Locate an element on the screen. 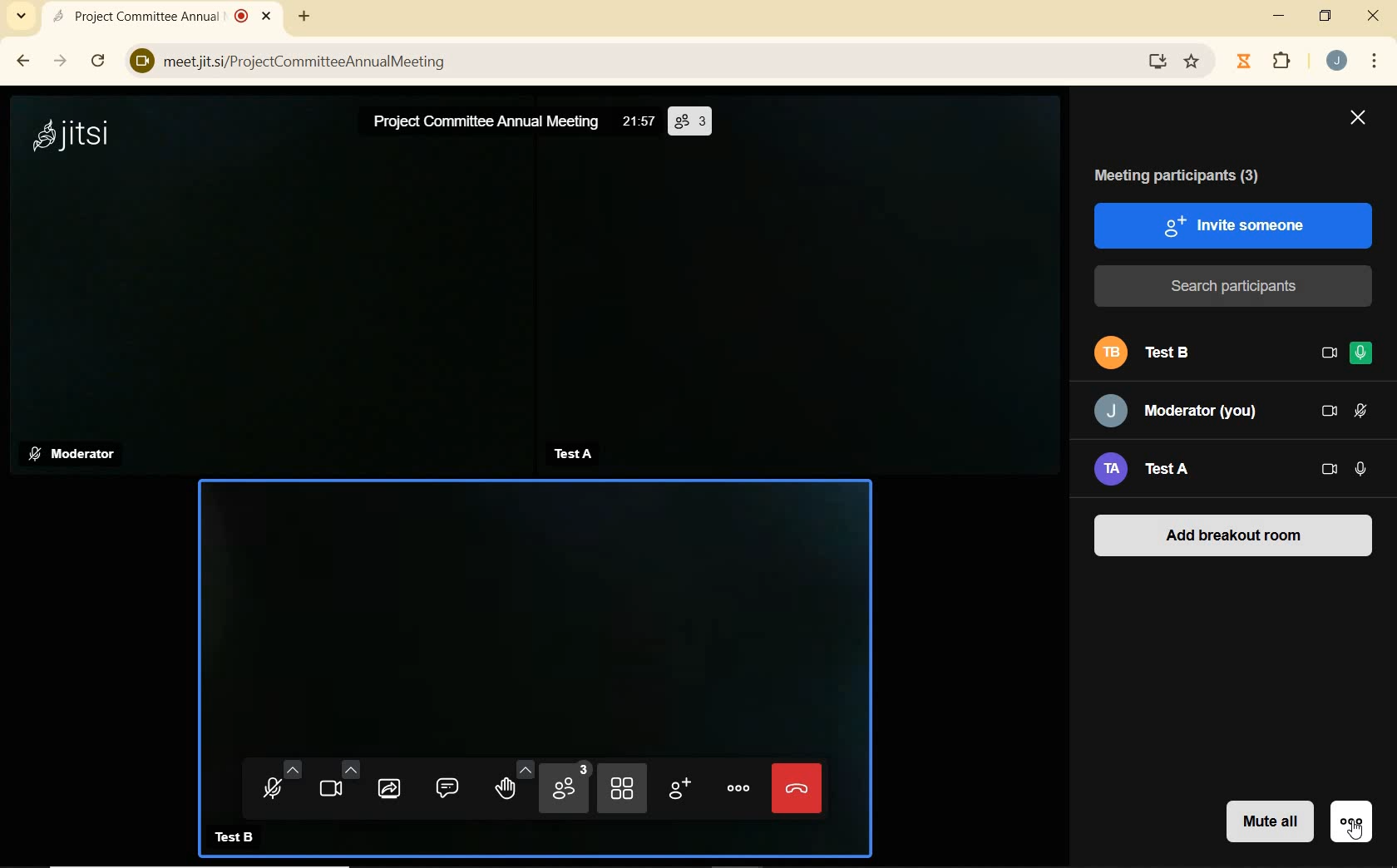 This screenshot has height=868, width=1397. Moderator (you) is located at coordinates (1179, 411).